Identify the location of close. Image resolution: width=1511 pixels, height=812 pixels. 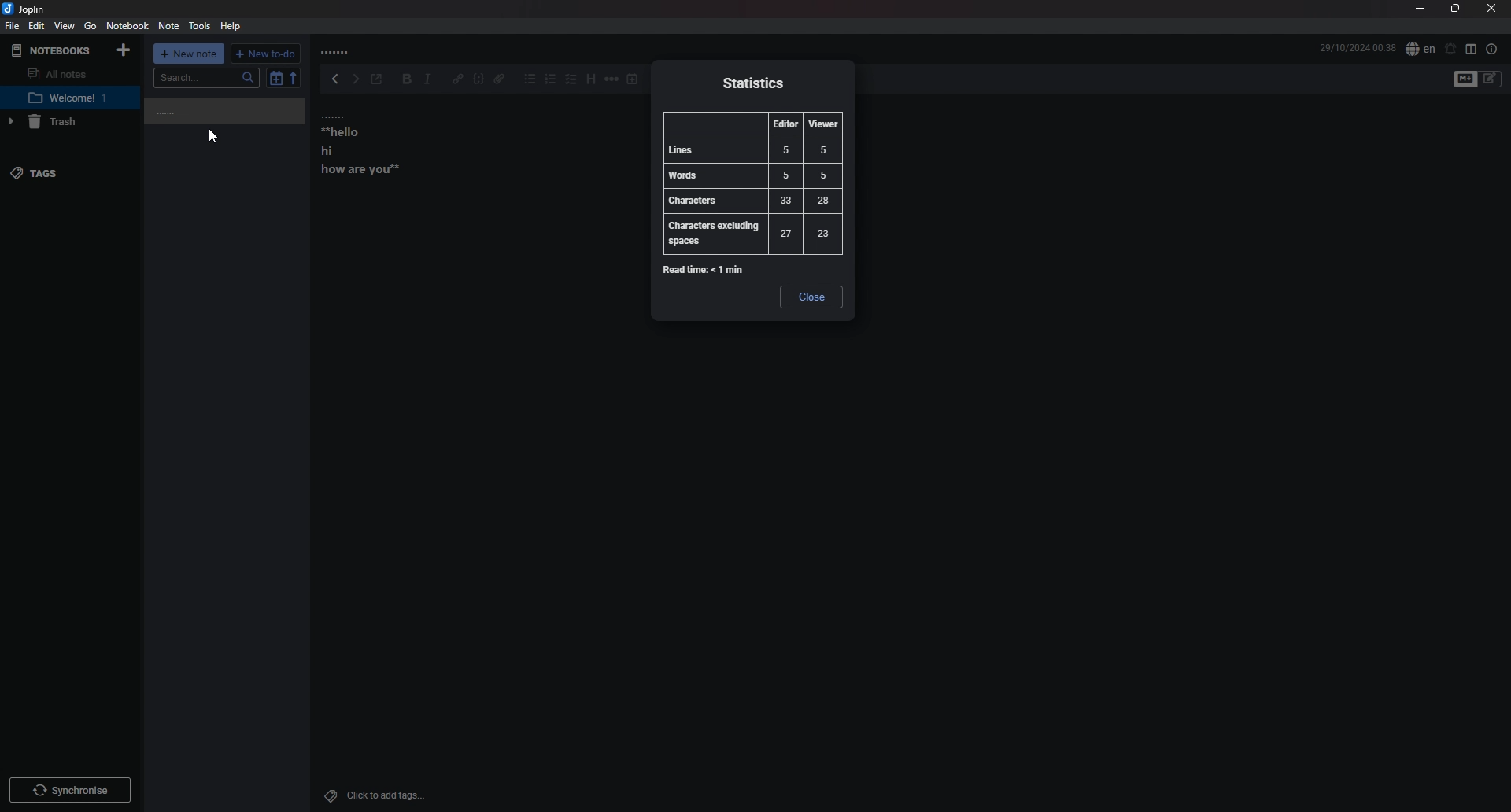
(1493, 8).